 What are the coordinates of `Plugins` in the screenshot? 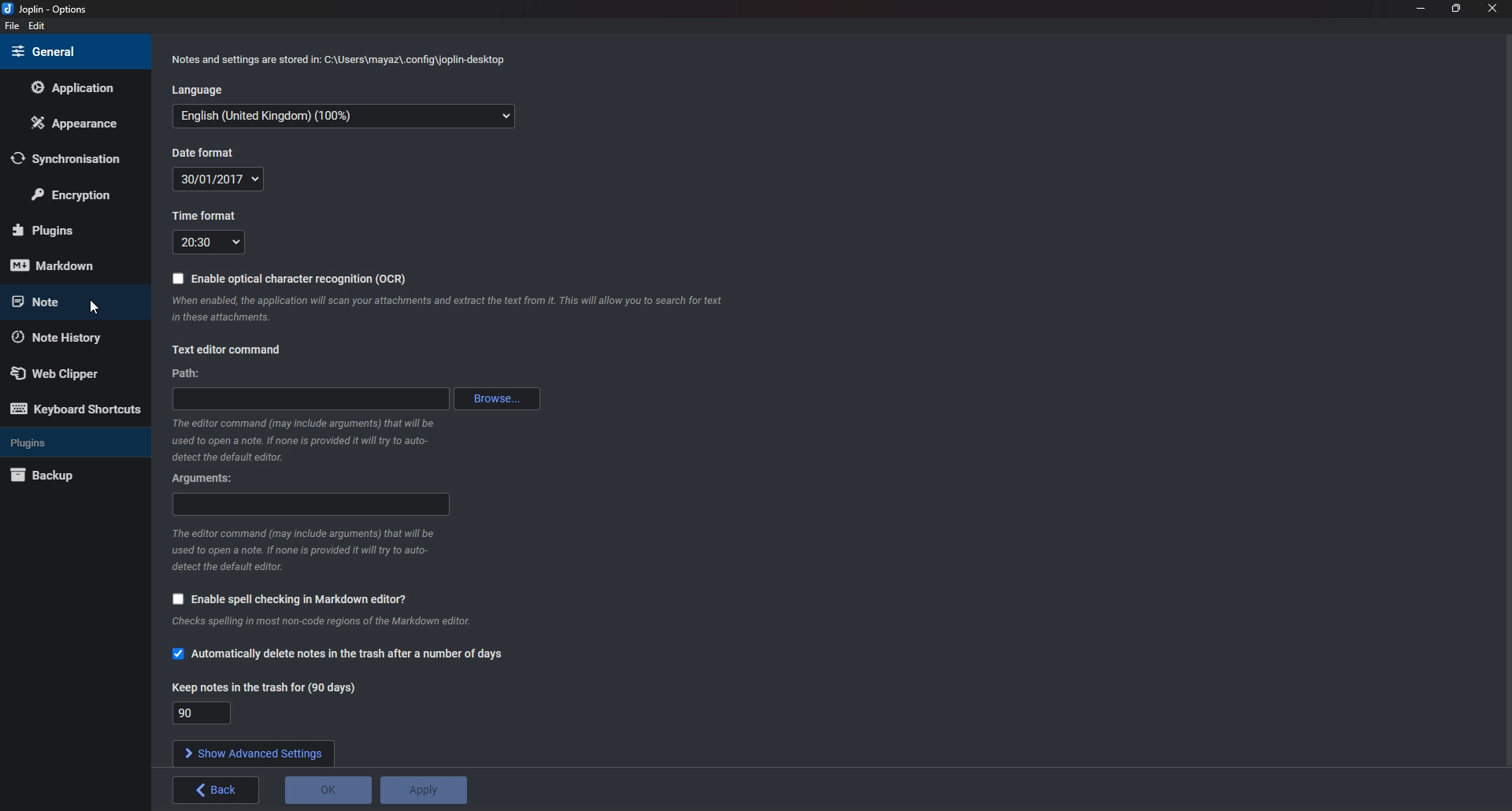 It's located at (68, 442).